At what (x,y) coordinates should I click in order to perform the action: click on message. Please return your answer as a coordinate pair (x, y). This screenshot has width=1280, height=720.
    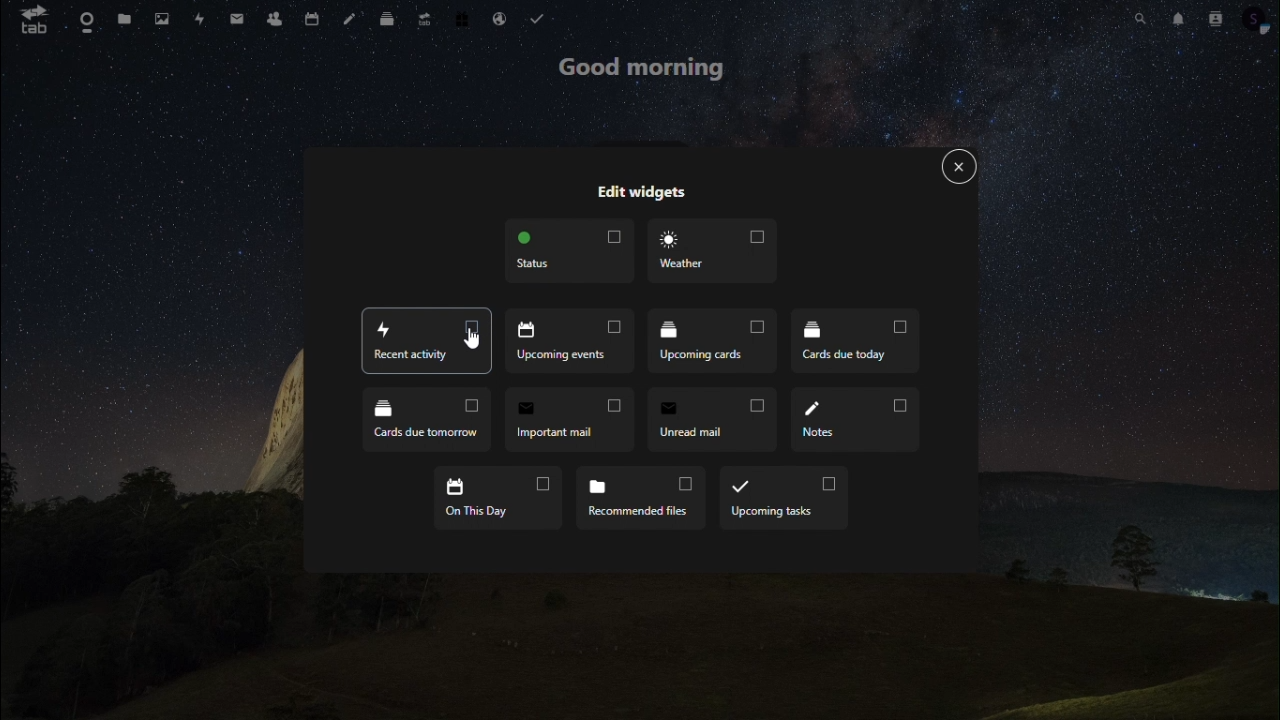
    Looking at the image, I should click on (237, 22).